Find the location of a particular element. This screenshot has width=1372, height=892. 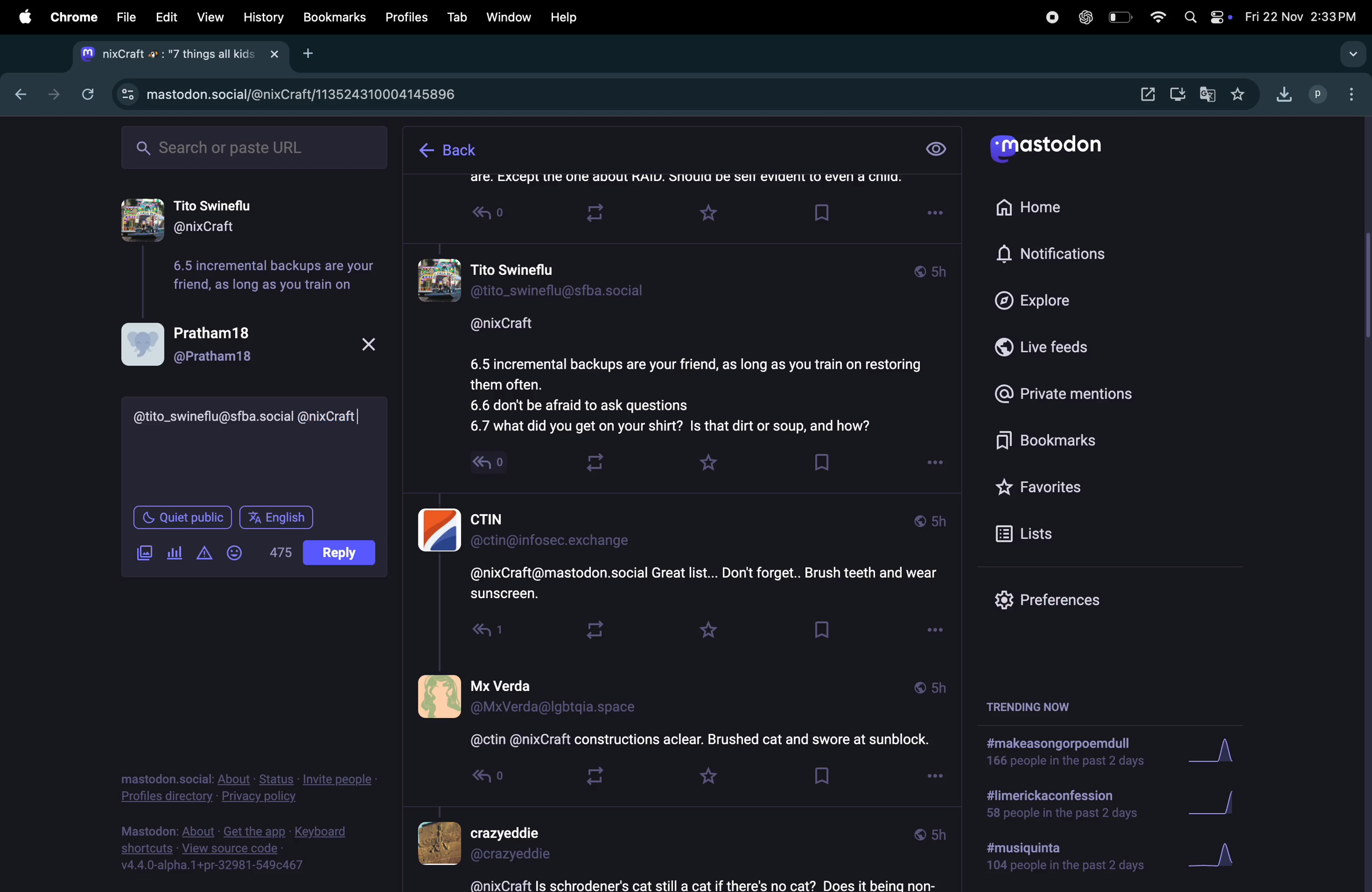

view is located at coordinates (209, 18).